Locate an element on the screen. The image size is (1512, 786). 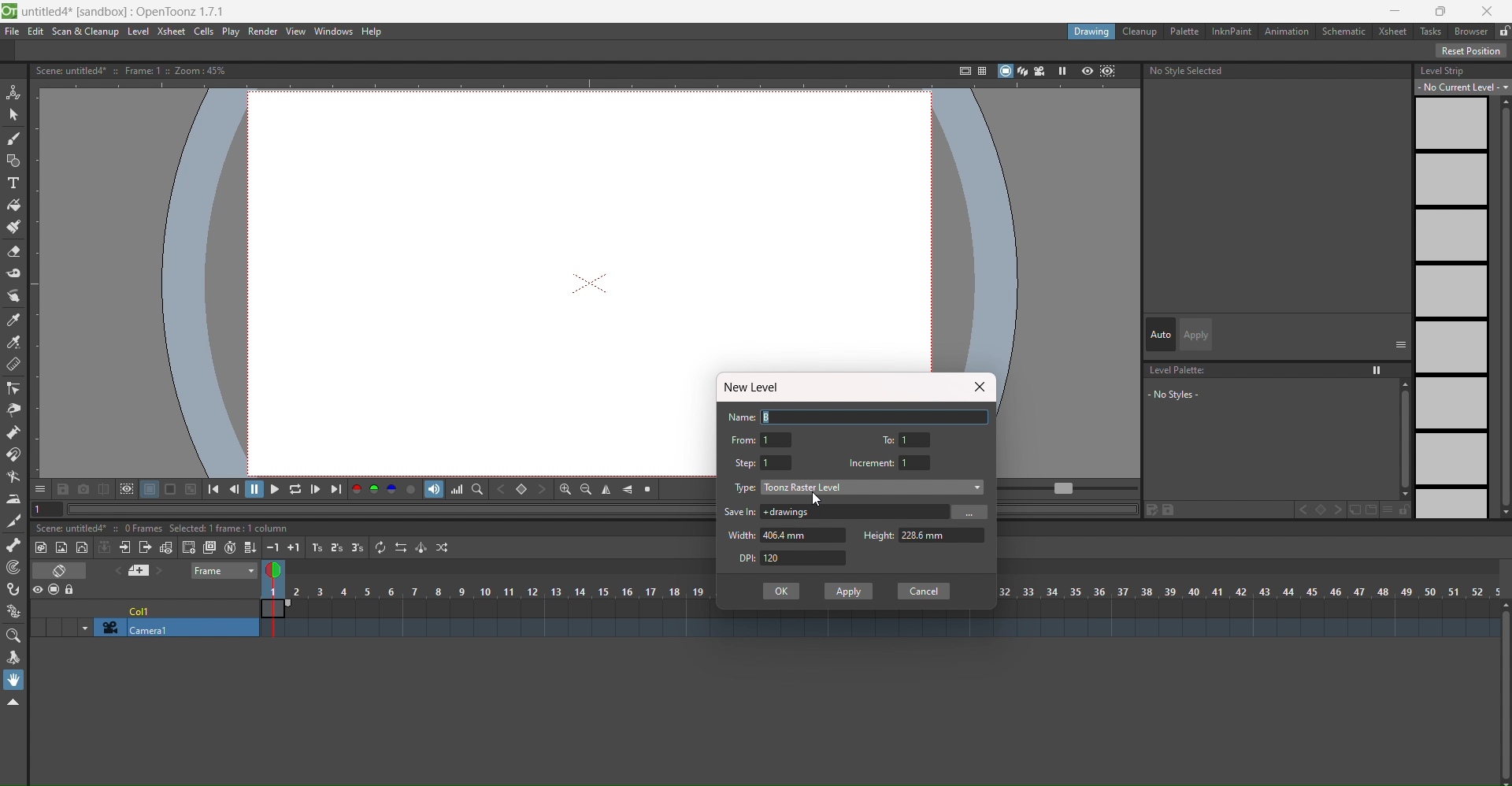
1 is located at coordinates (917, 462).